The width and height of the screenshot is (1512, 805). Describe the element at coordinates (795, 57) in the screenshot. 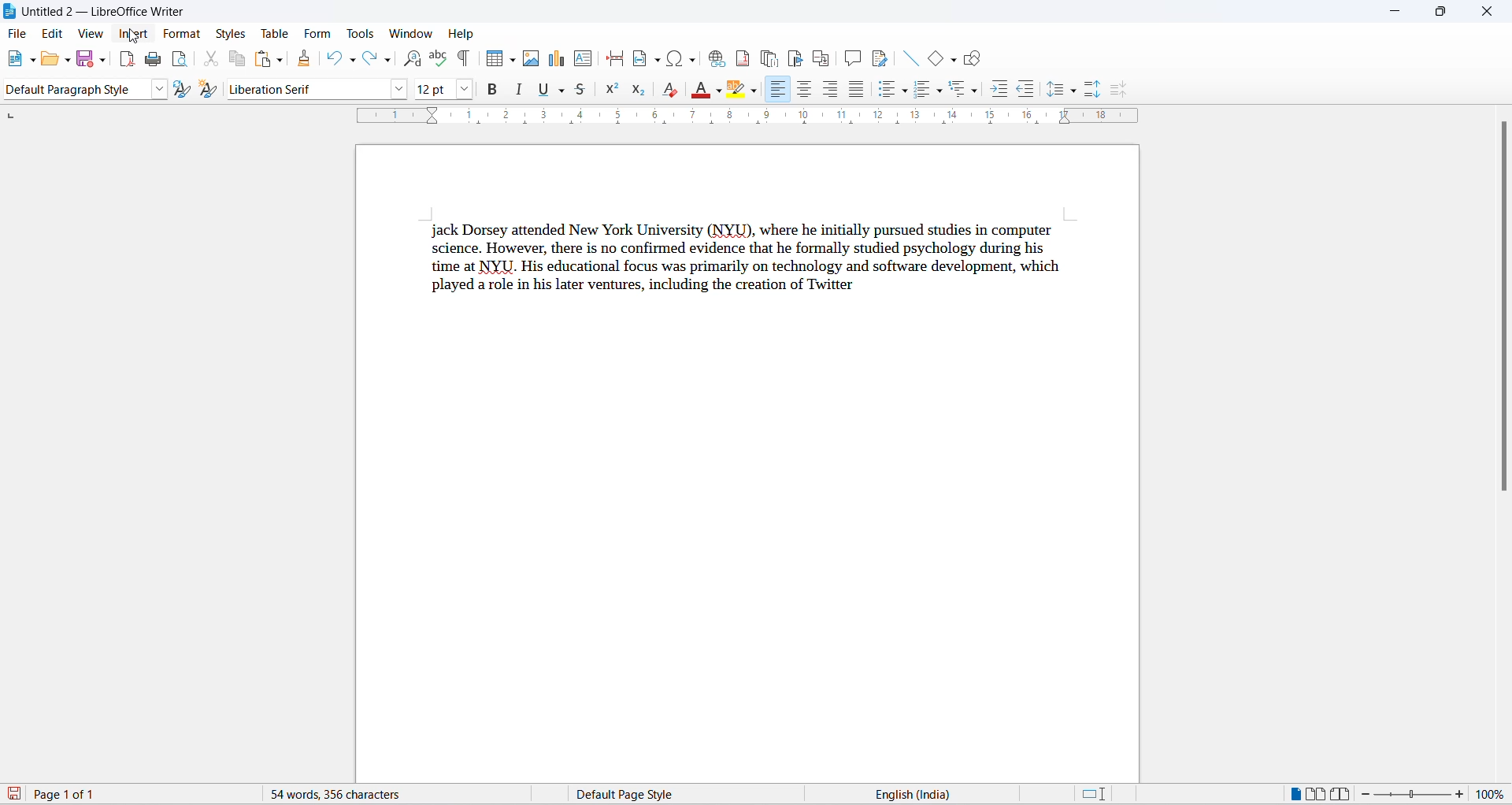

I see `insert bookmark` at that location.